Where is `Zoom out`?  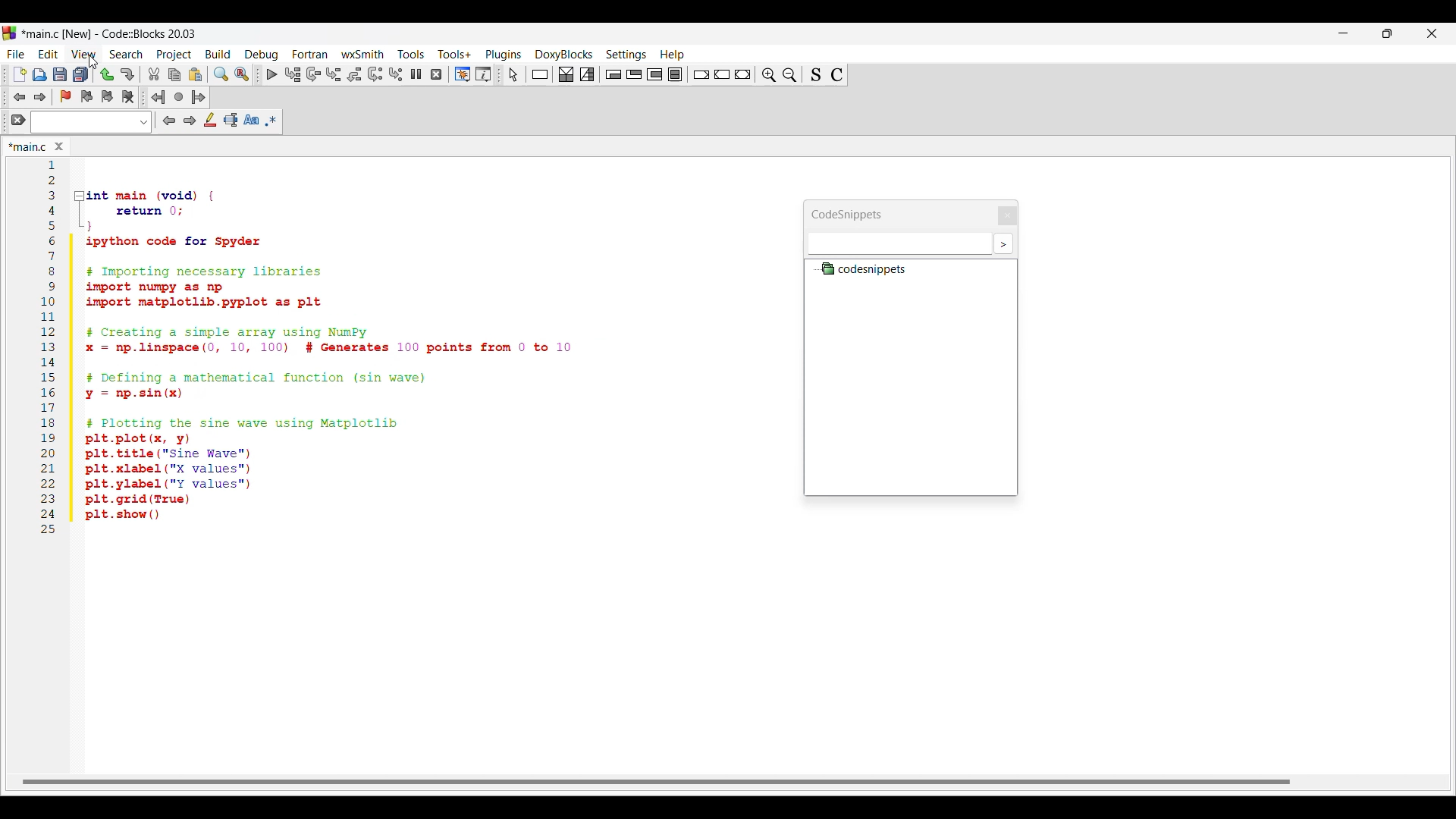 Zoom out is located at coordinates (768, 74).